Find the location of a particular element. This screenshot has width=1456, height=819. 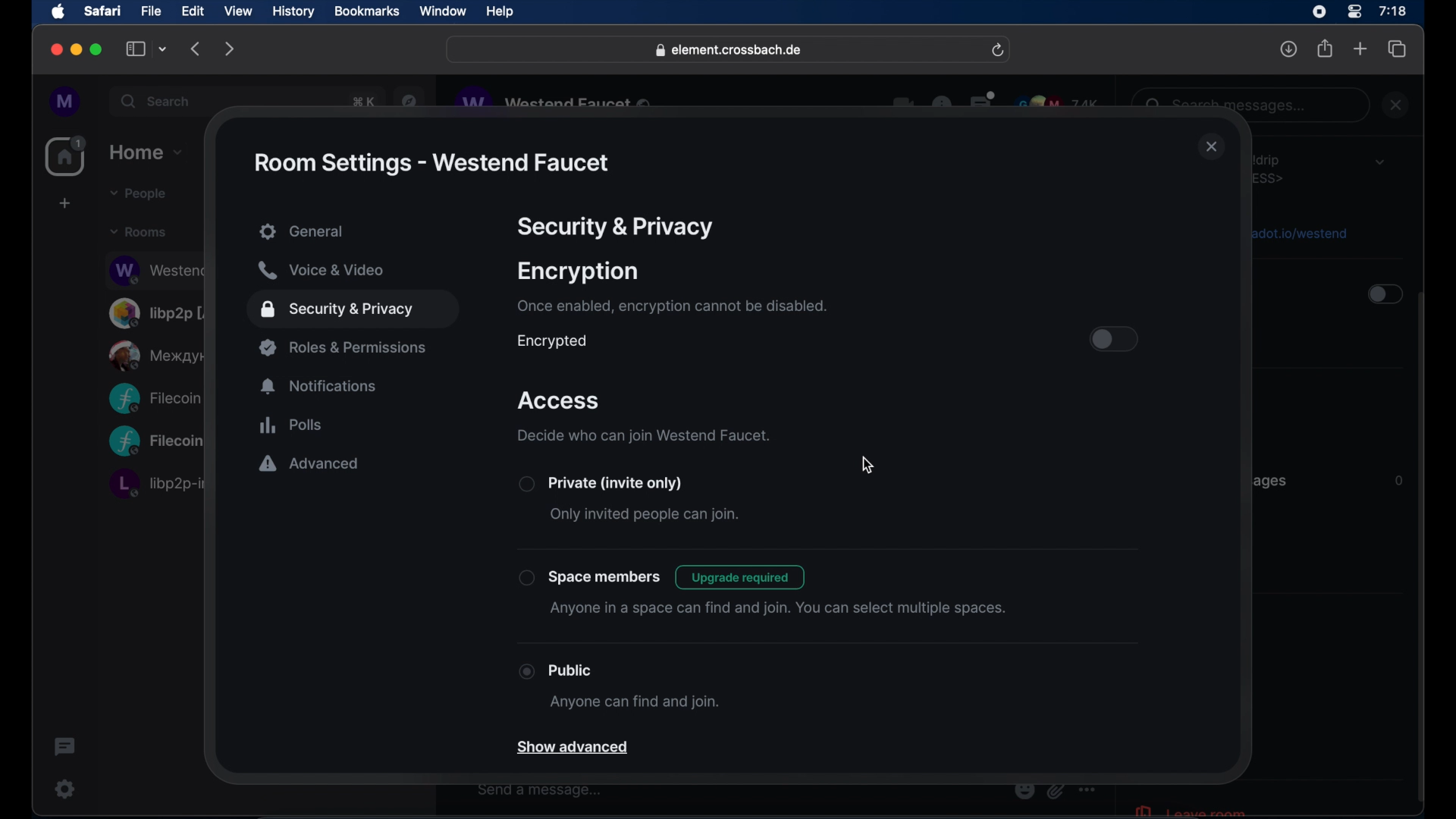

apple icon is located at coordinates (58, 12).